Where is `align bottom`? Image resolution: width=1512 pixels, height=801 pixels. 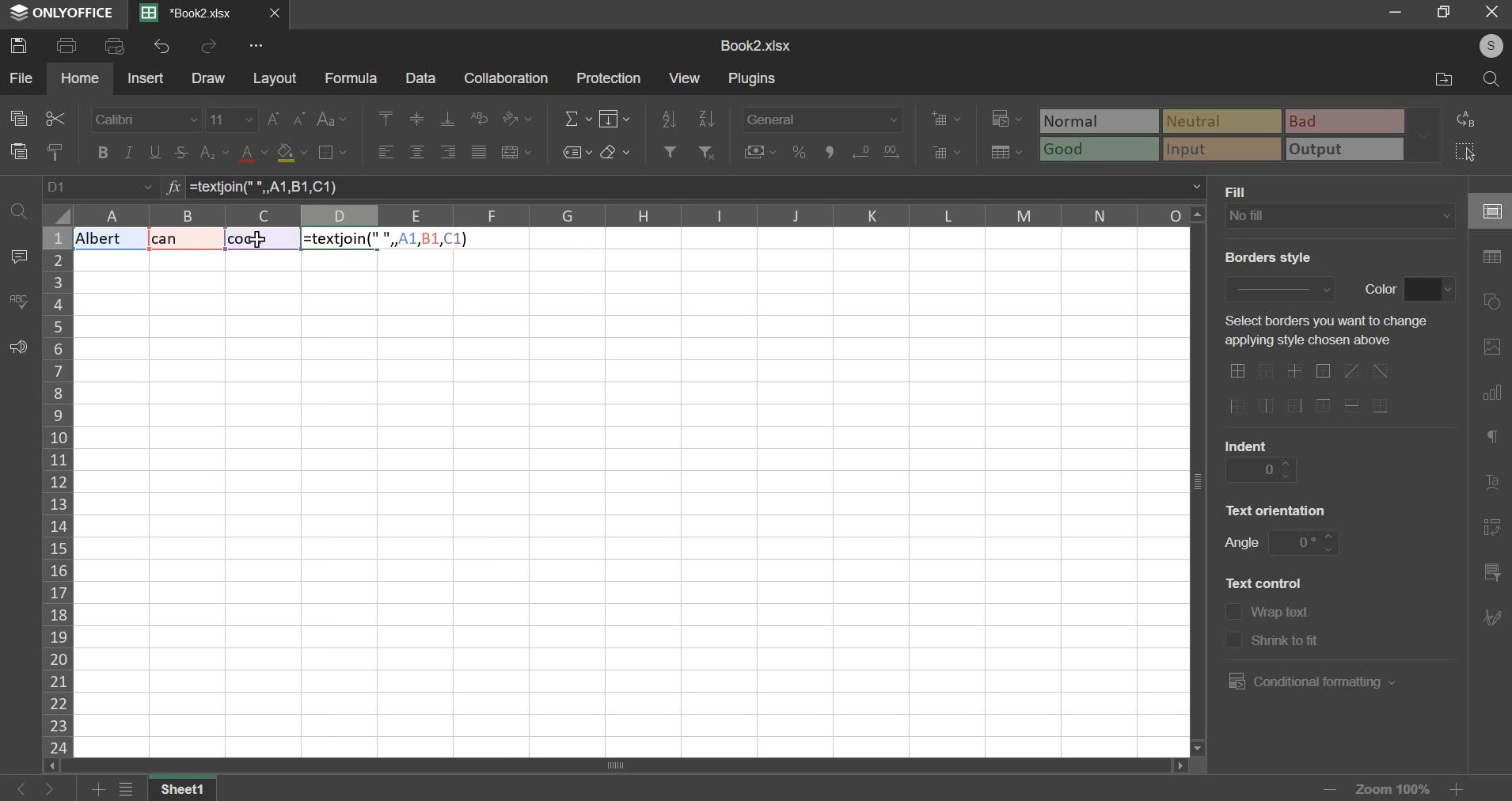
align bottom is located at coordinates (448, 119).